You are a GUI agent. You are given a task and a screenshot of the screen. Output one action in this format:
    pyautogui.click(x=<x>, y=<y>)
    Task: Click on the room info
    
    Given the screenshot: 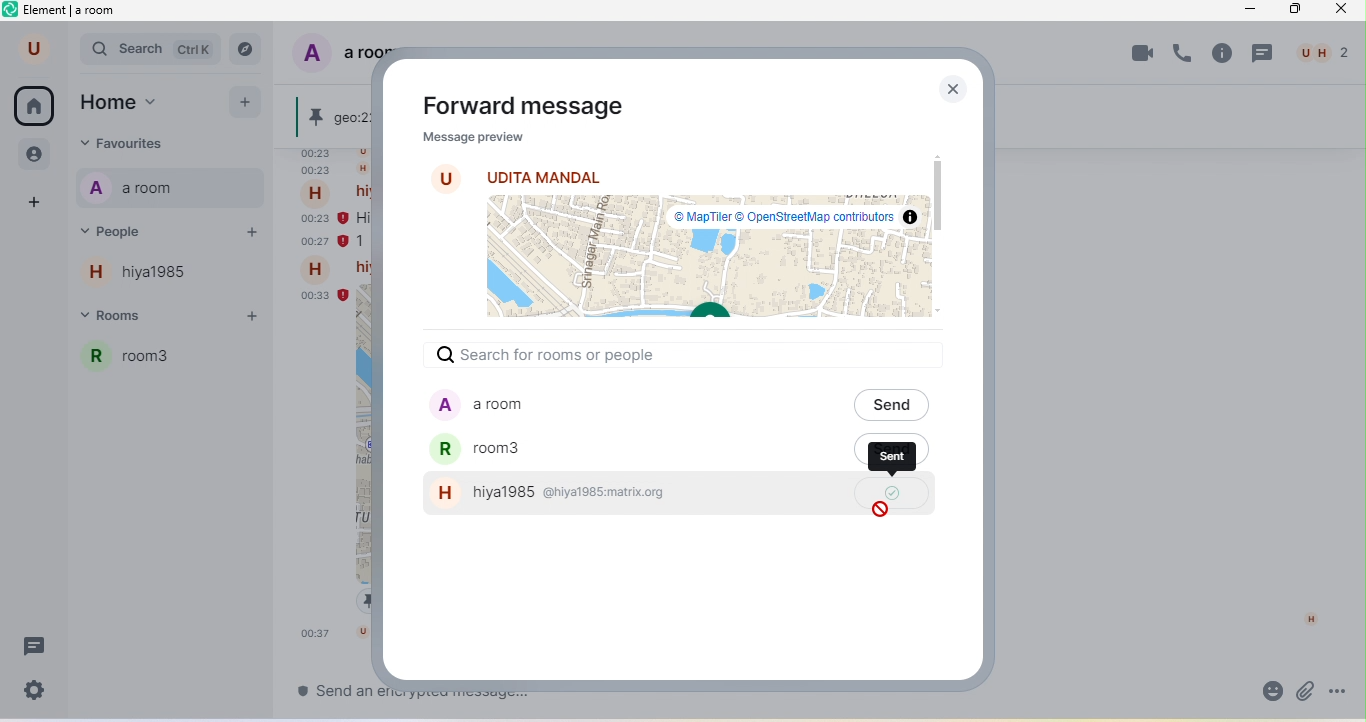 What is the action you would take?
    pyautogui.click(x=1222, y=53)
    